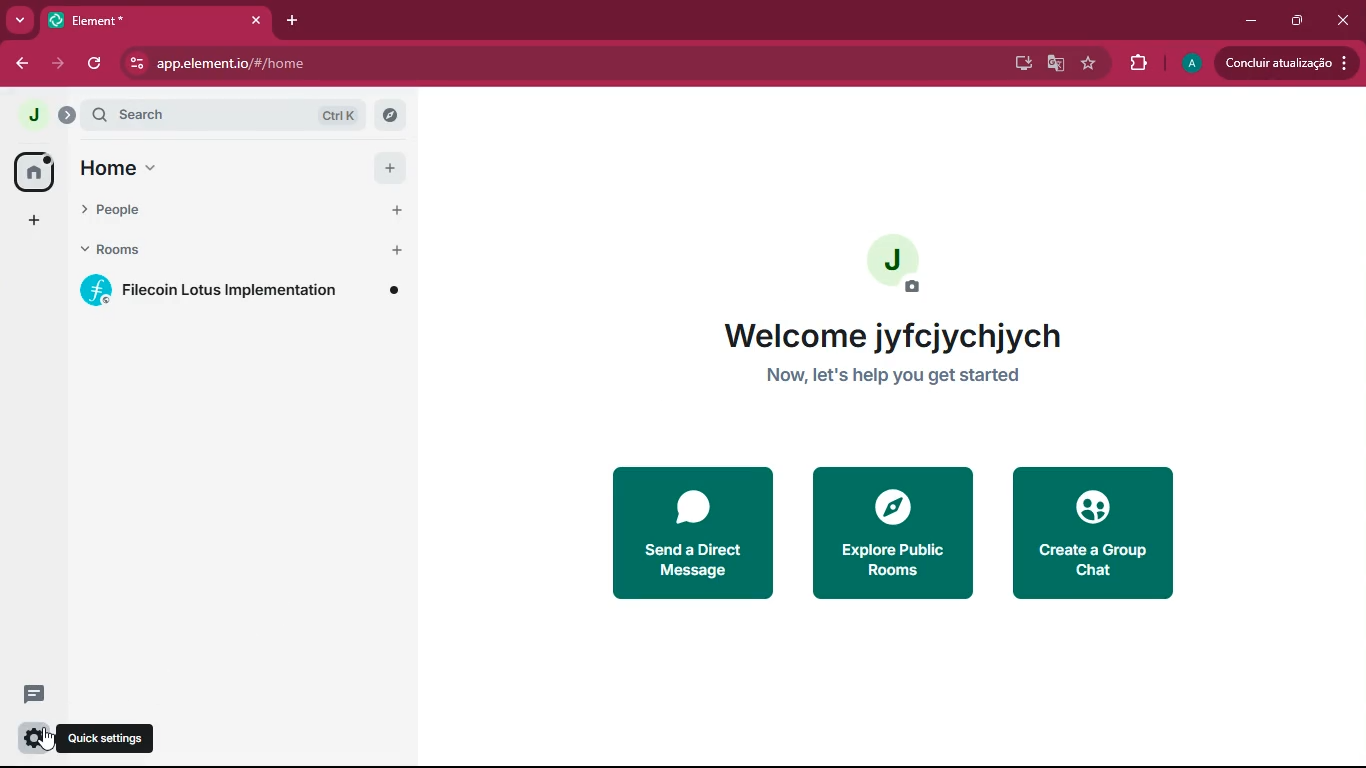 This screenshot has height=768, width=1366. I want to click on click, so click(1346, 22).